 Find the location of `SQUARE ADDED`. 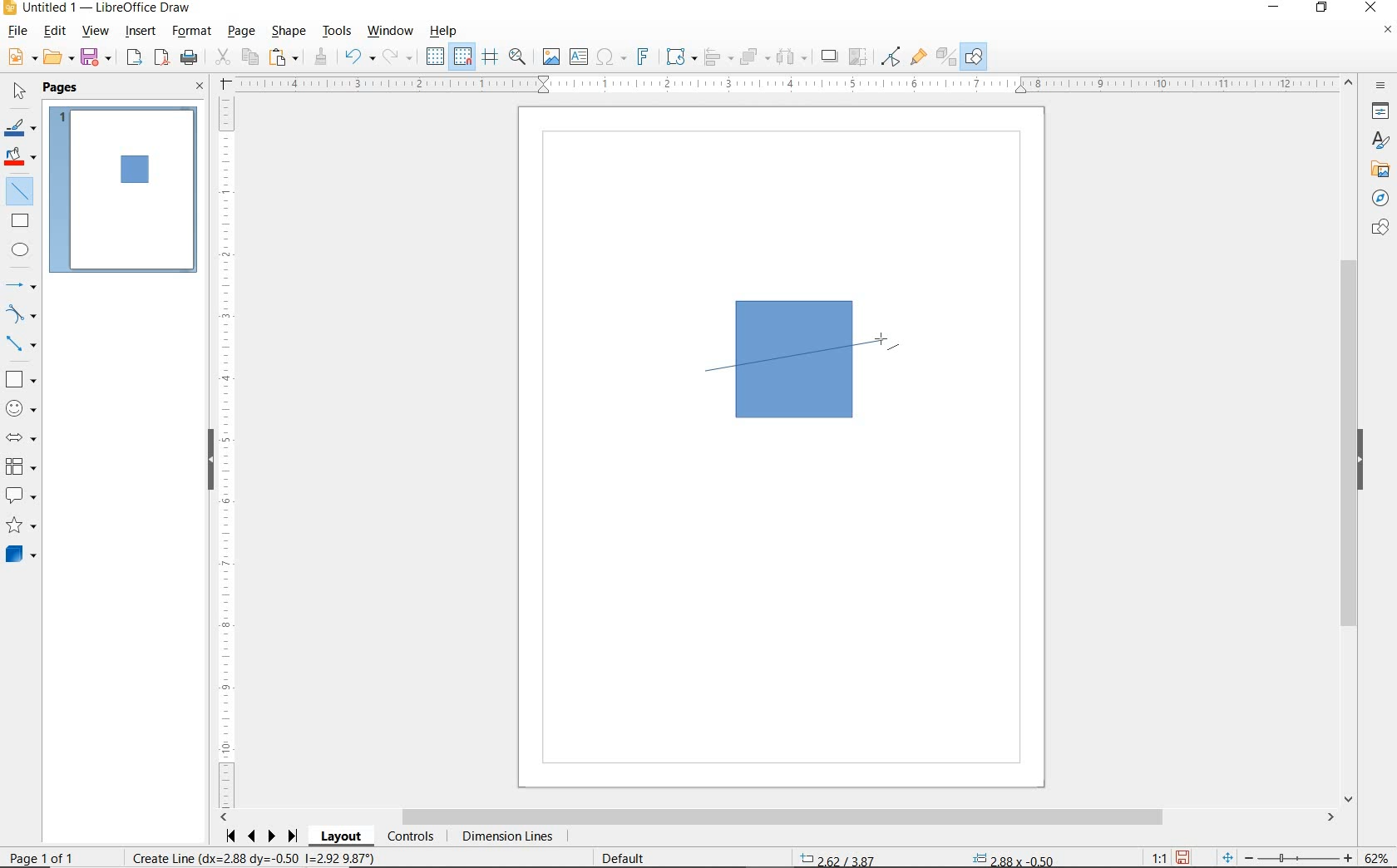

SQUARE ADDED is located at coordinates (132, 171).